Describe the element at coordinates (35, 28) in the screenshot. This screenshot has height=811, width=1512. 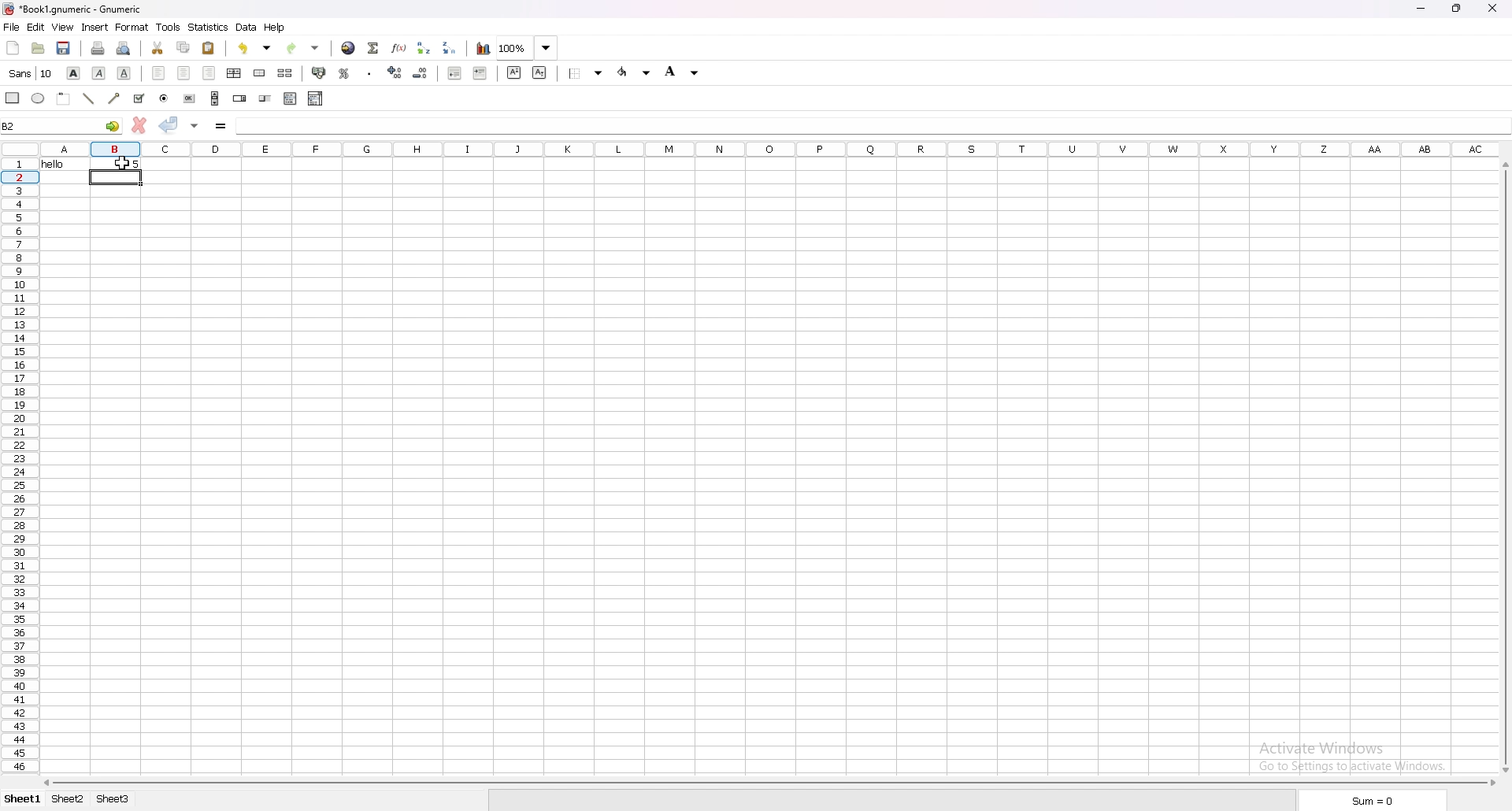
I see `edit` at that location.